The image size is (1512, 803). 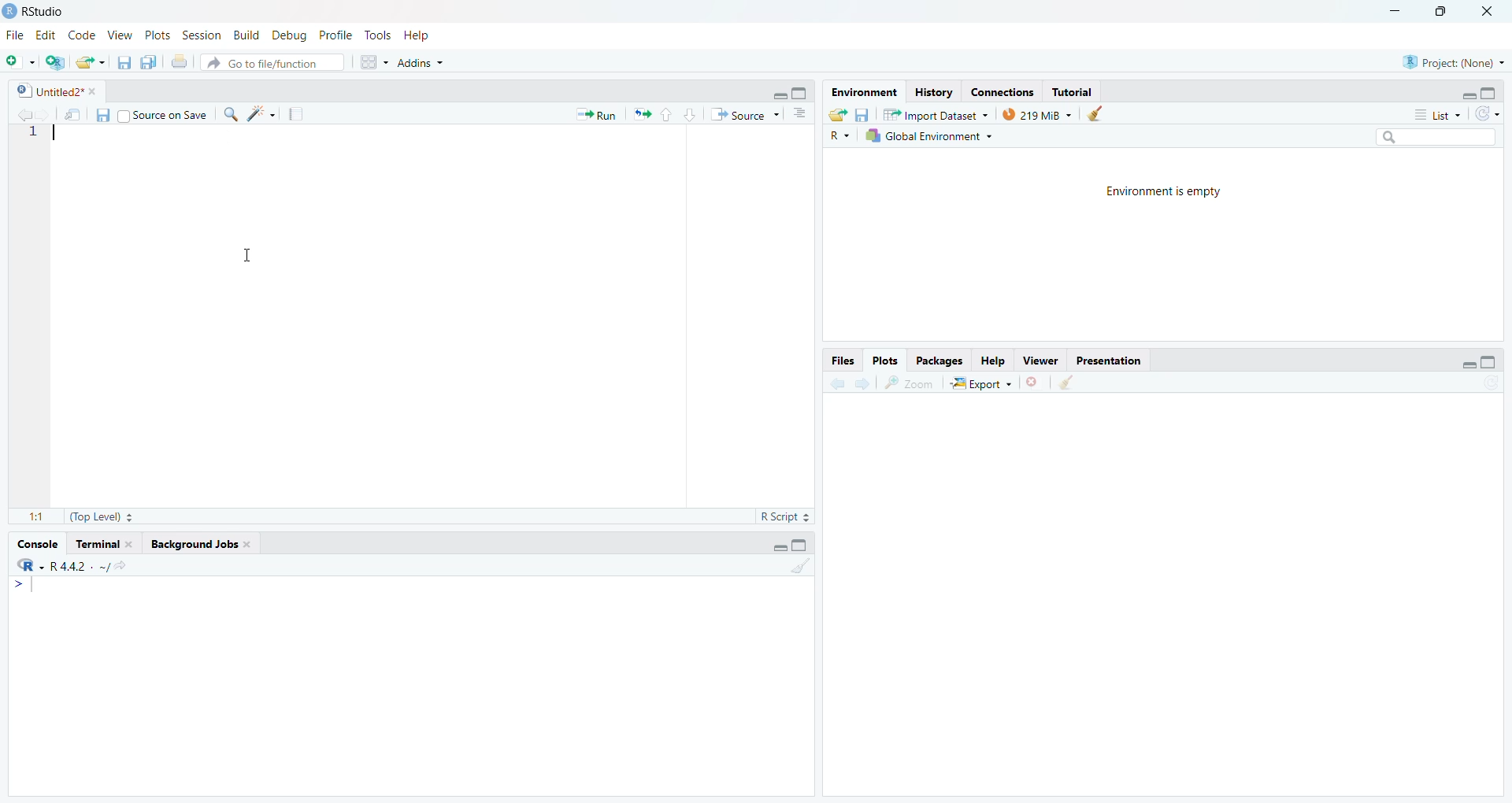 What do you see at coordinates (39, 544) in the screenshot?
I see `Console` at bounding box center [39, 544].